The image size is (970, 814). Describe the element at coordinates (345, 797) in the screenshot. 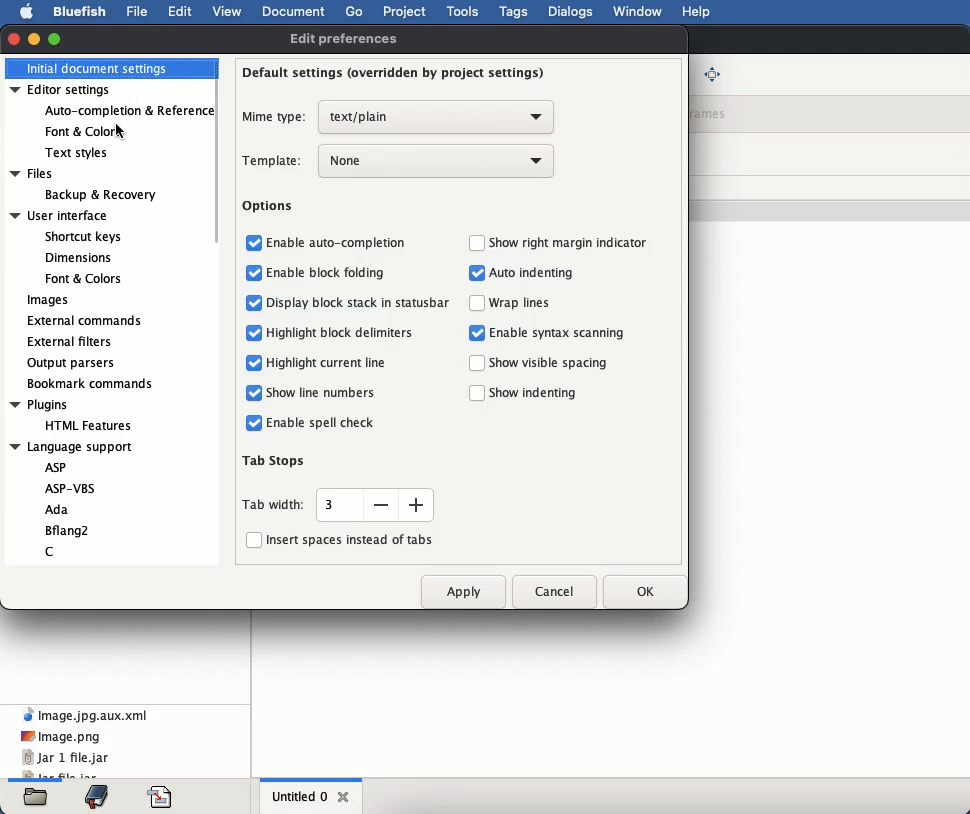

I see `close` at that location.